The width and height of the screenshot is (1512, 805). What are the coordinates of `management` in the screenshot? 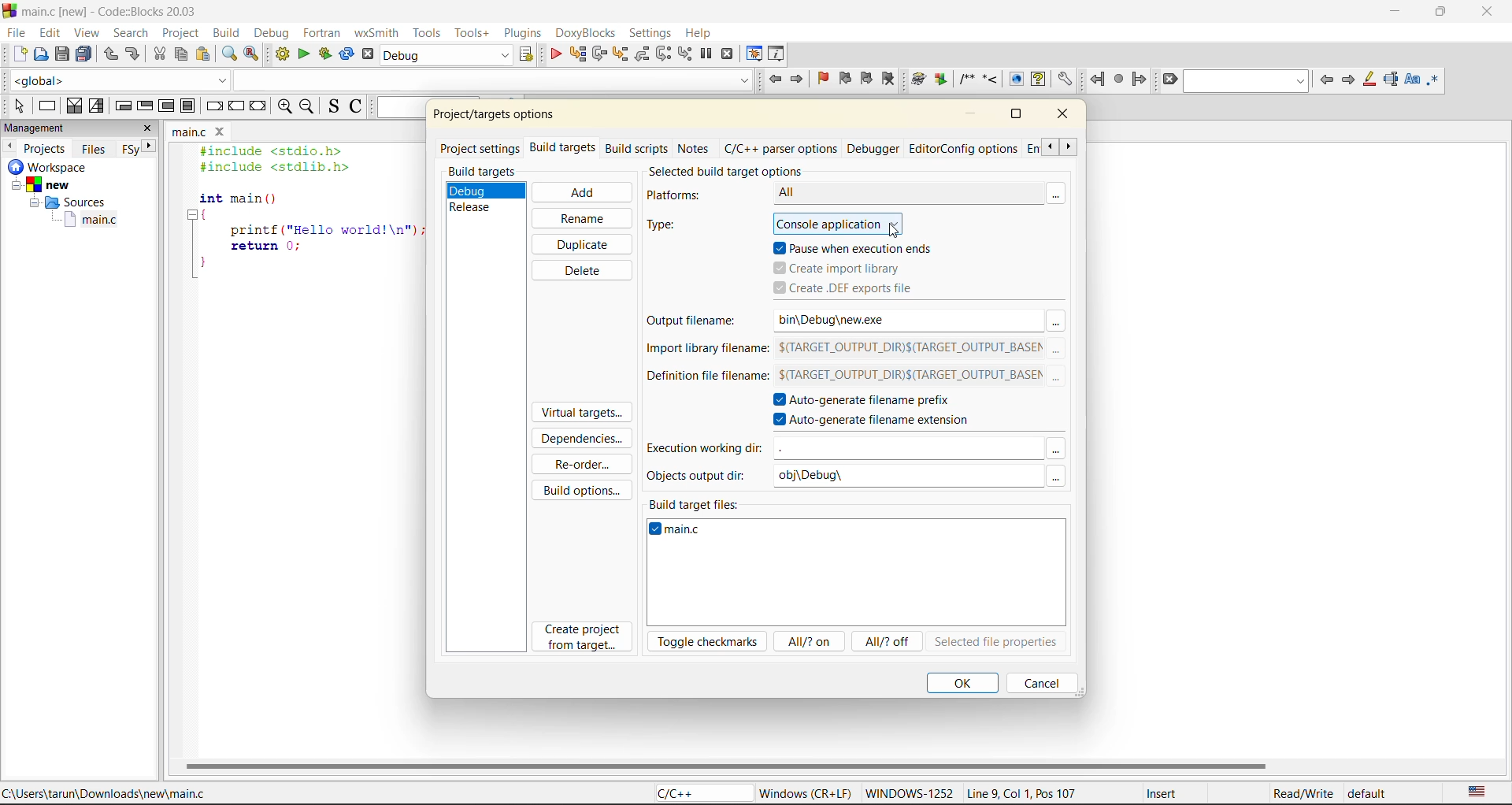 It's located at (52, 127).